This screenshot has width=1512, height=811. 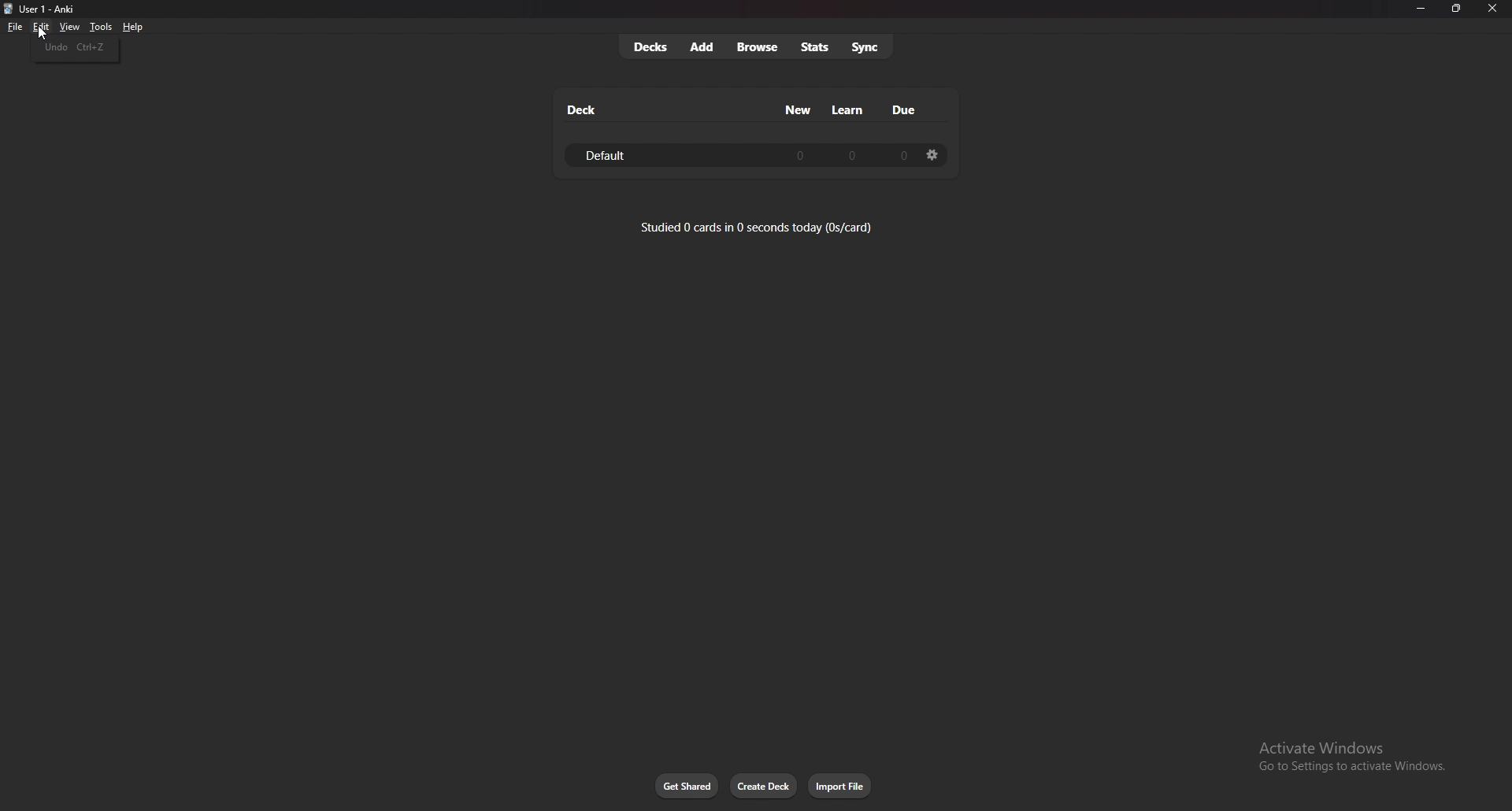 What do you see at coordinates (842, 786) in the screenshot?
I see `import file` at bounding box center [842, 786].